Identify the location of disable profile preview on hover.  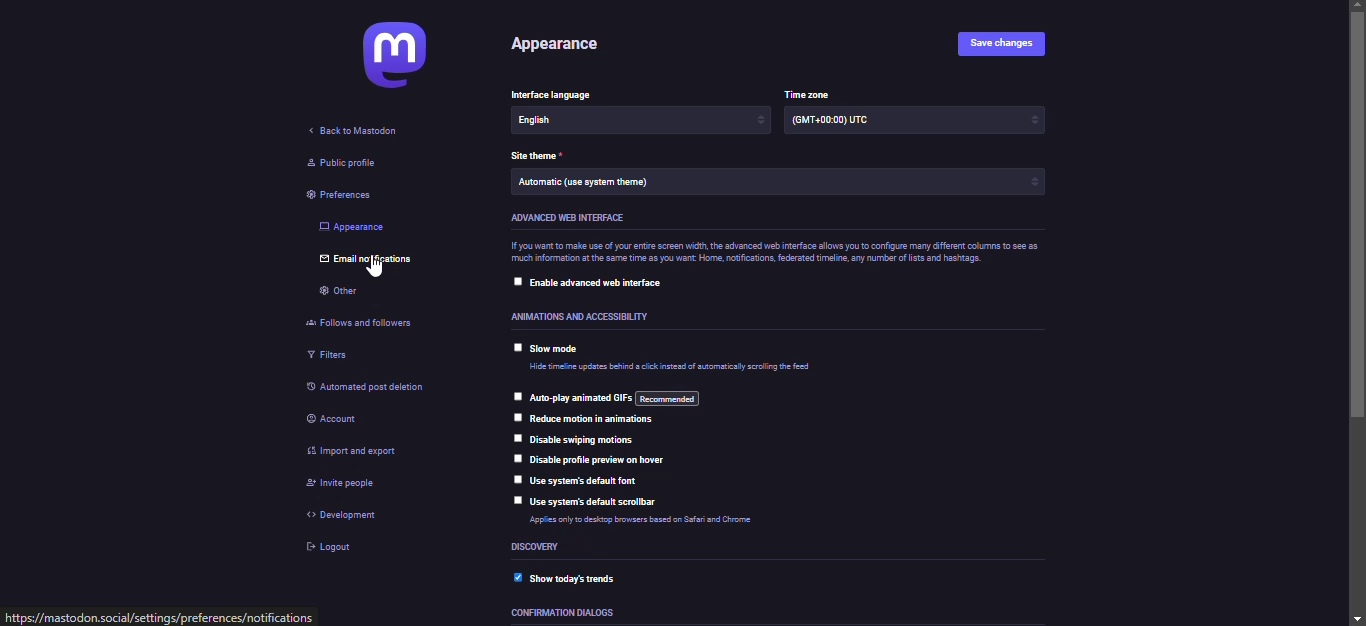
(606, 460).